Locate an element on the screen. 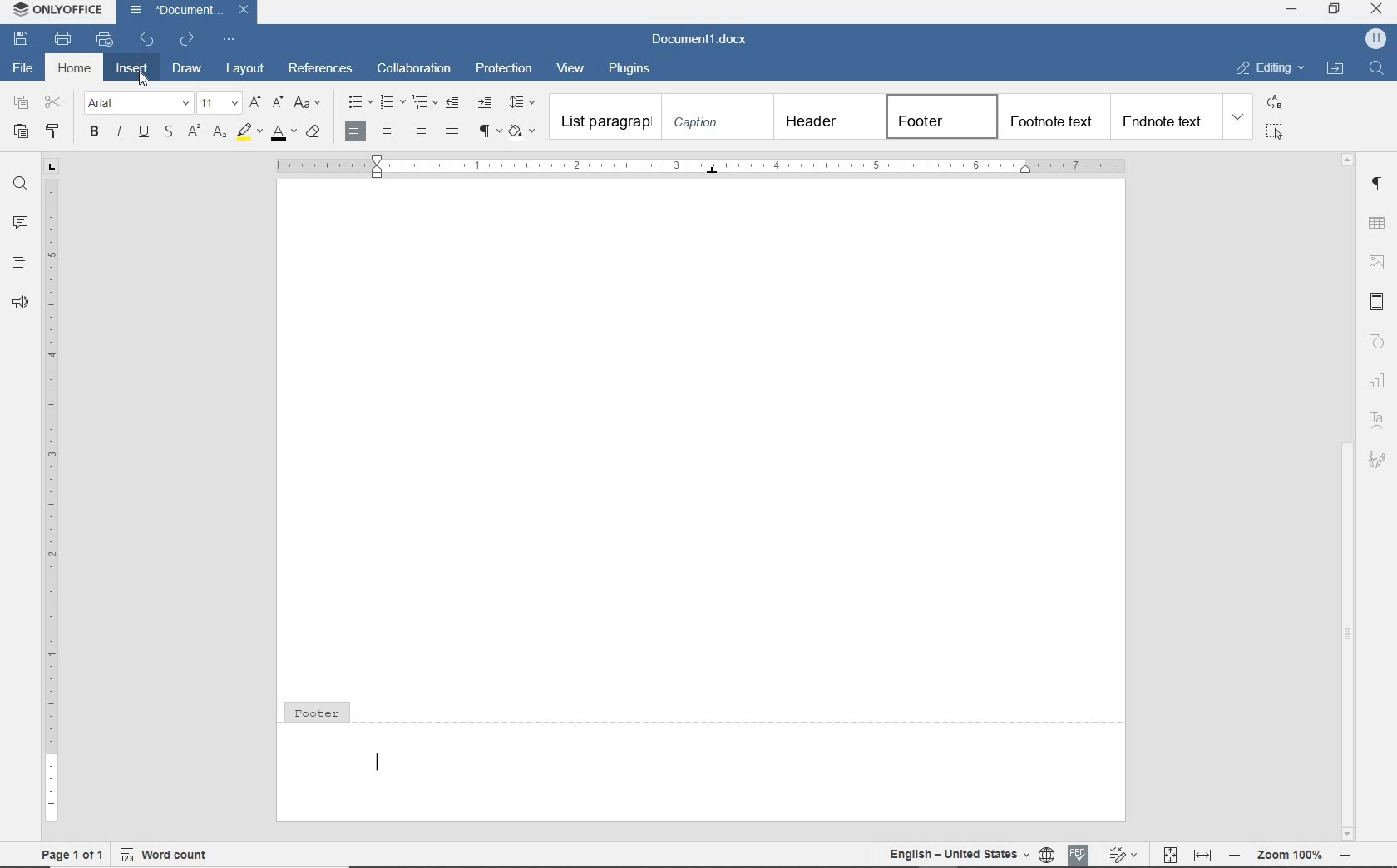 The height and width of the screenshot is (868, 1397). find is located at coordinates (18, 185).